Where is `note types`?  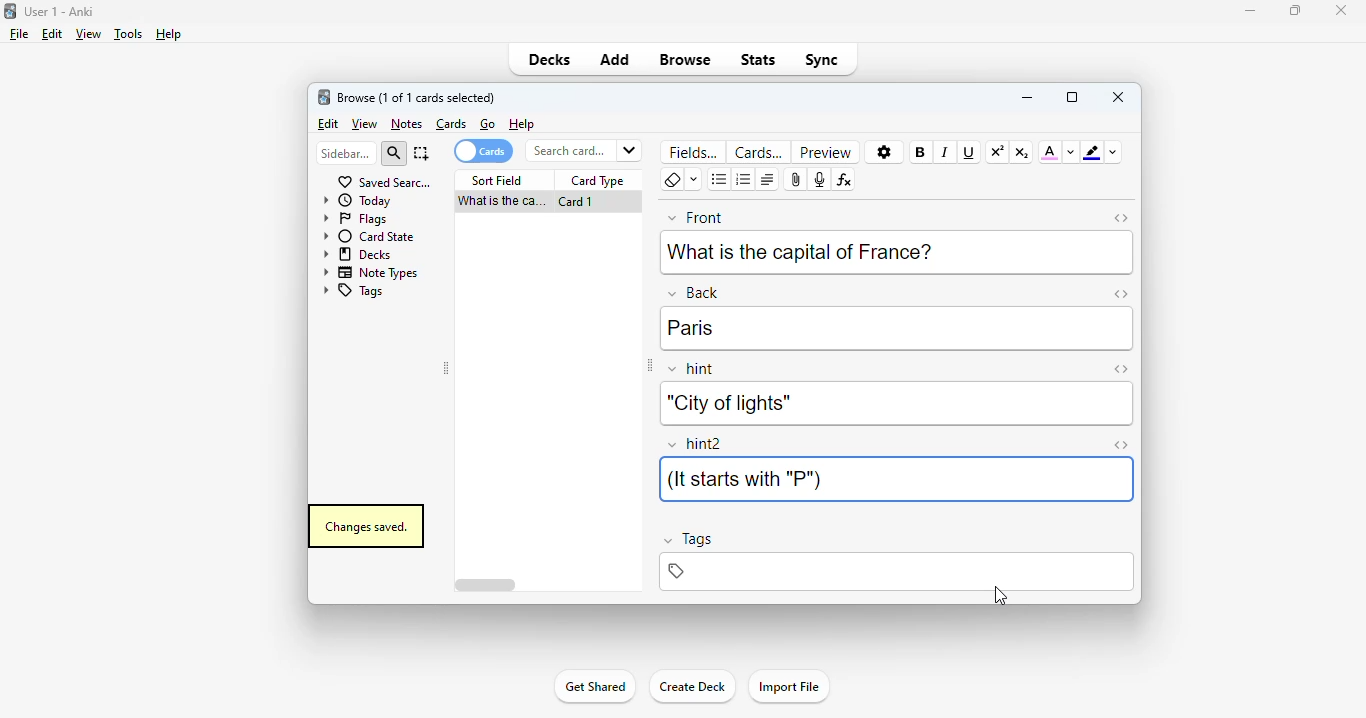
note types is located at coordinates (371, 272).